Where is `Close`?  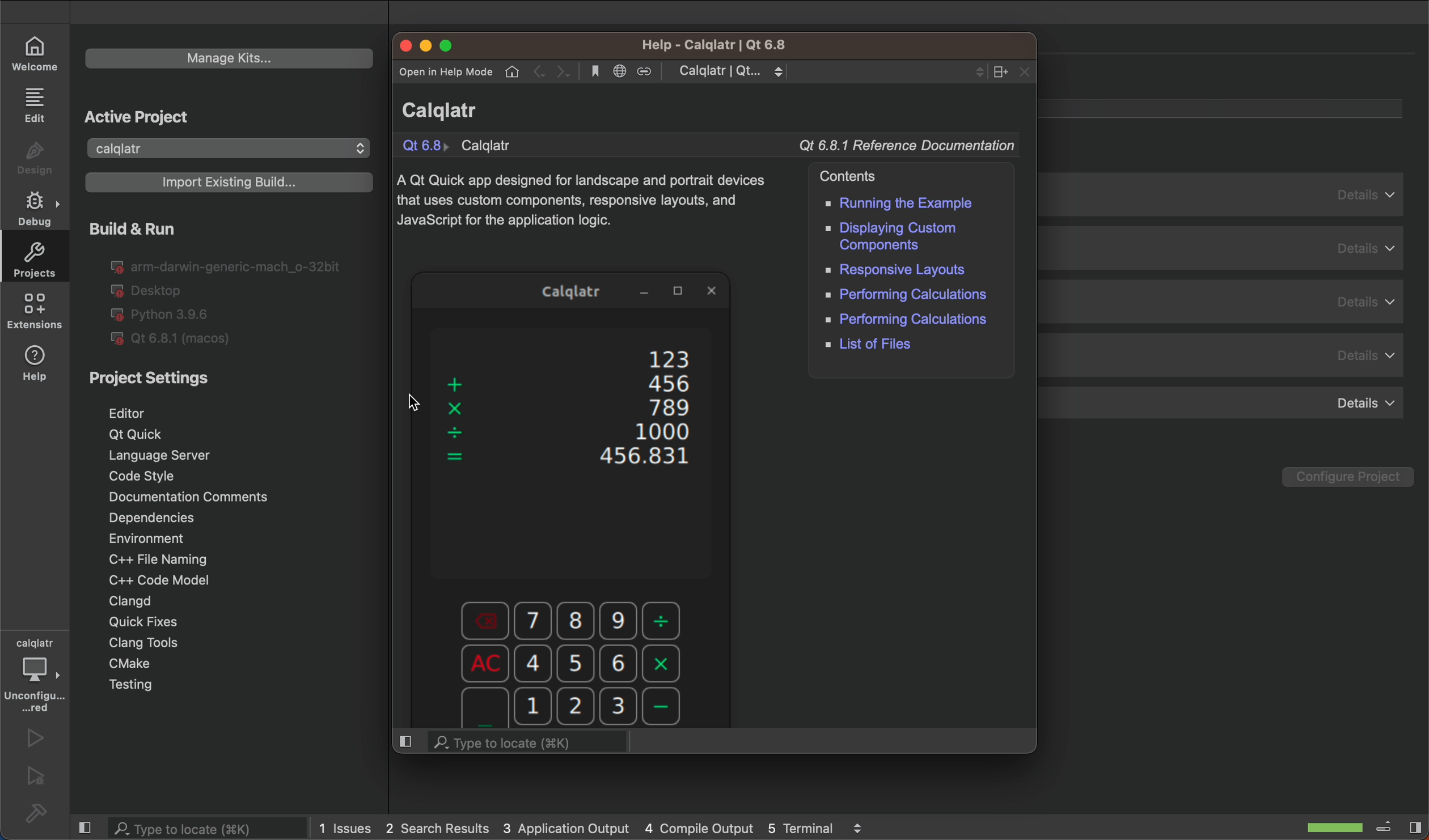
Close is located at coordinates (722, 288).